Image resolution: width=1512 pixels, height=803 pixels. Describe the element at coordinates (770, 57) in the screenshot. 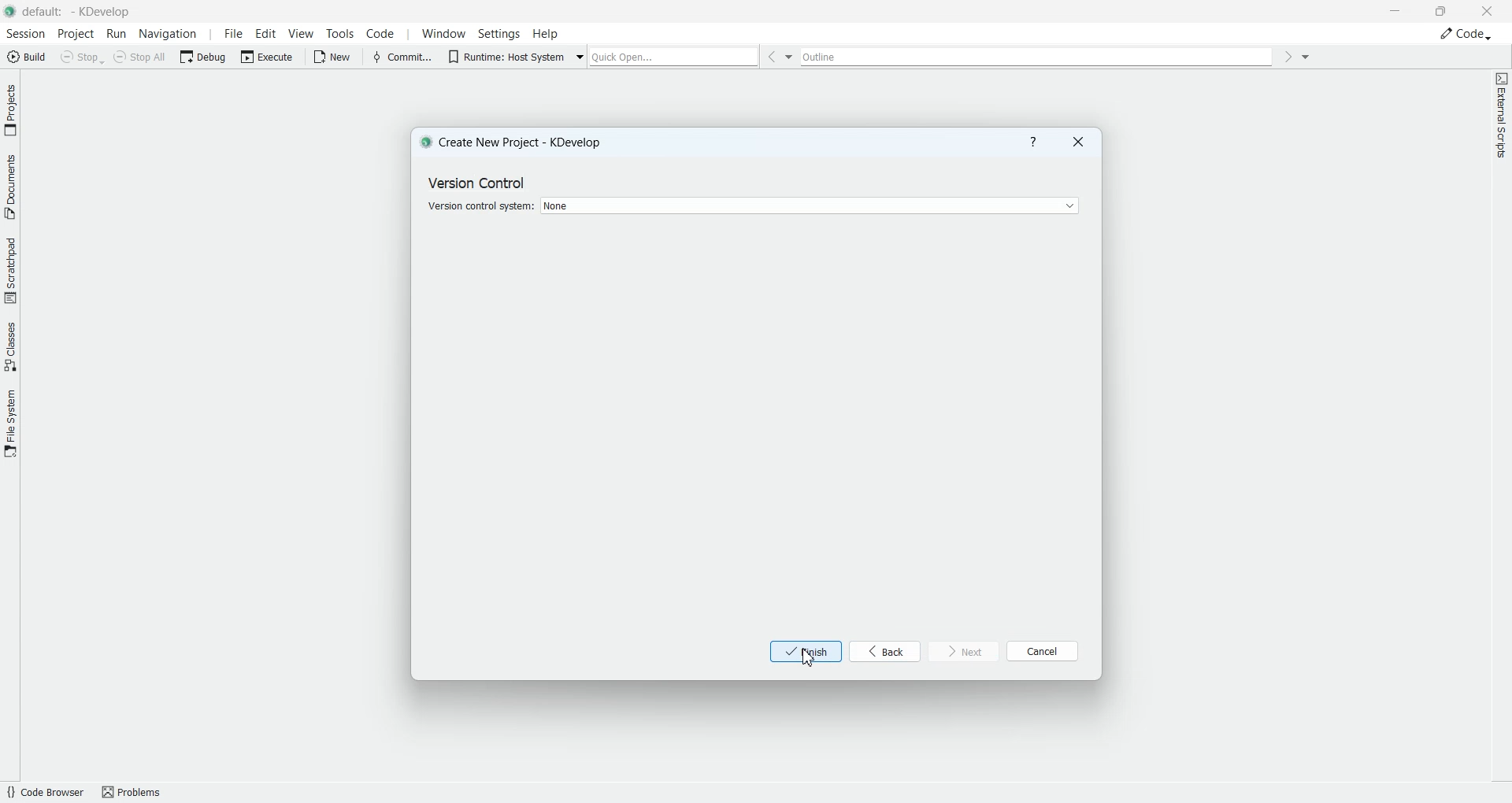

I see `Go back` at that location.